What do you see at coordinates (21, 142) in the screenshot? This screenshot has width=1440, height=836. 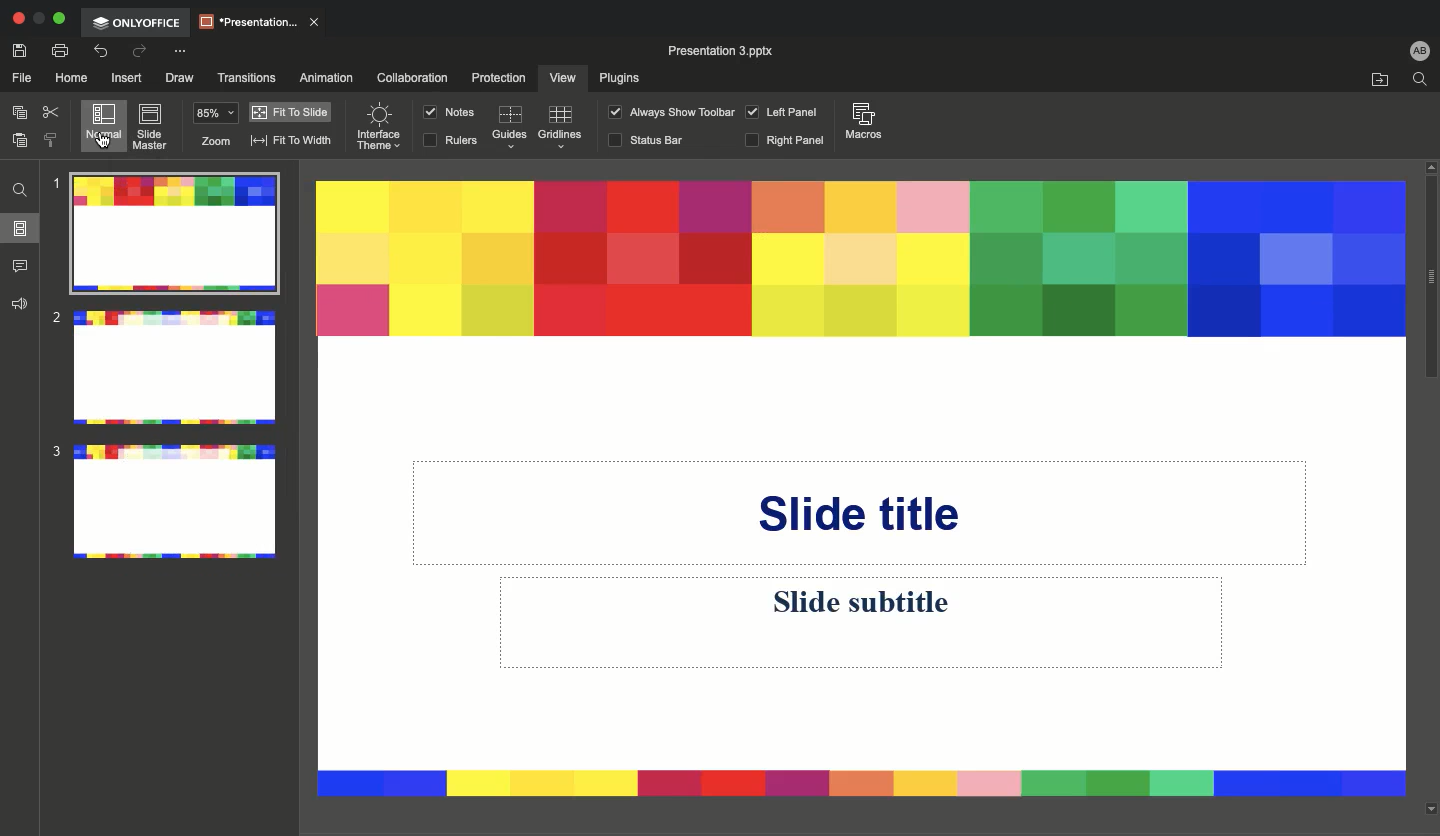 I see `Paste` at bounding box center [21, 142].